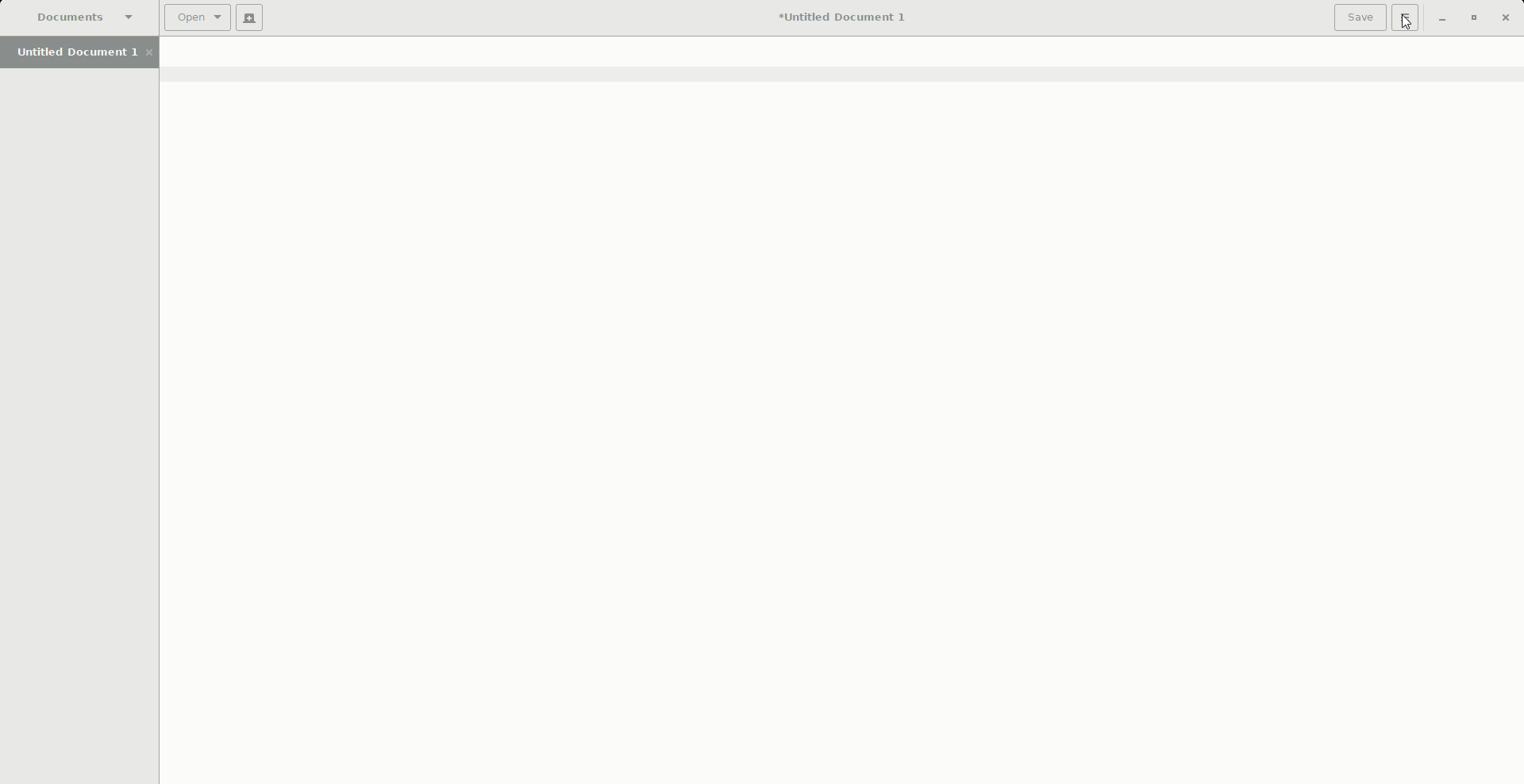  Describe the element at coordinates (841, 18) in the screenshot. I see `Untitled document` at that location.